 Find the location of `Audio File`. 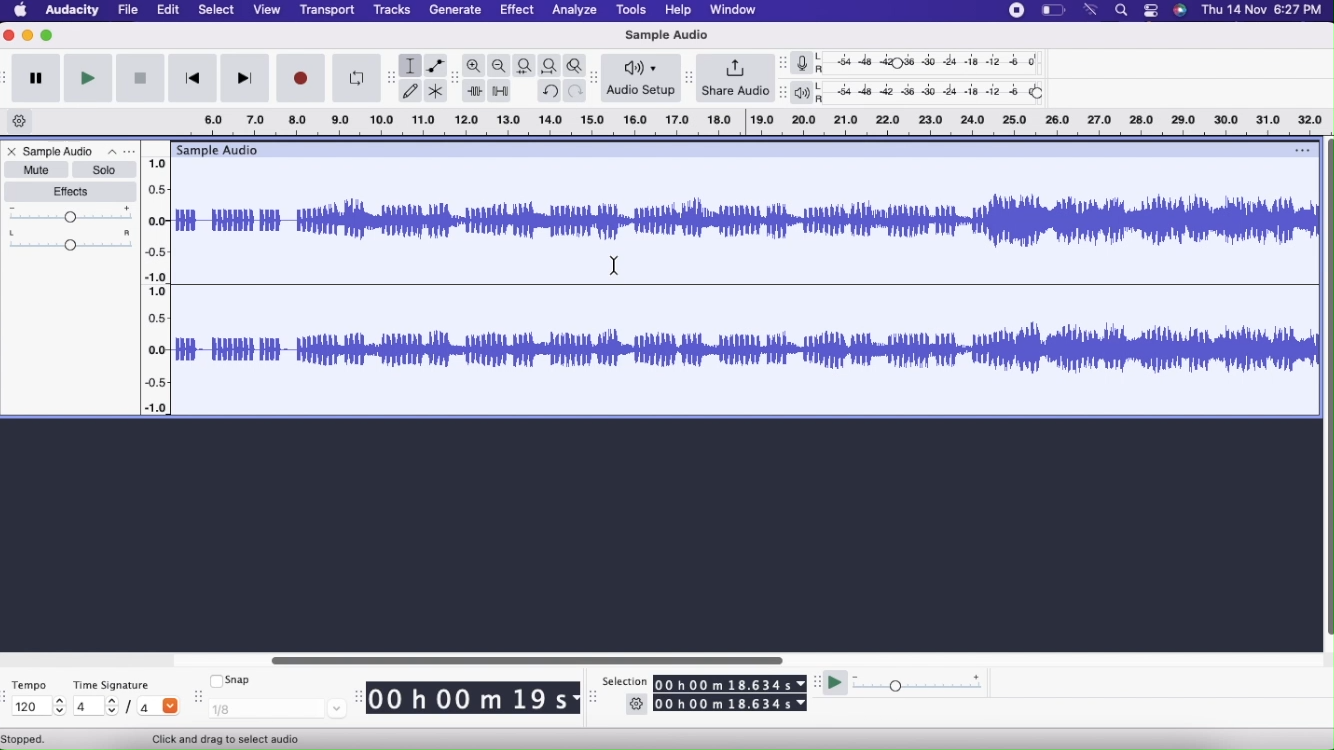

Audio File is located at coordinates (749, 280).